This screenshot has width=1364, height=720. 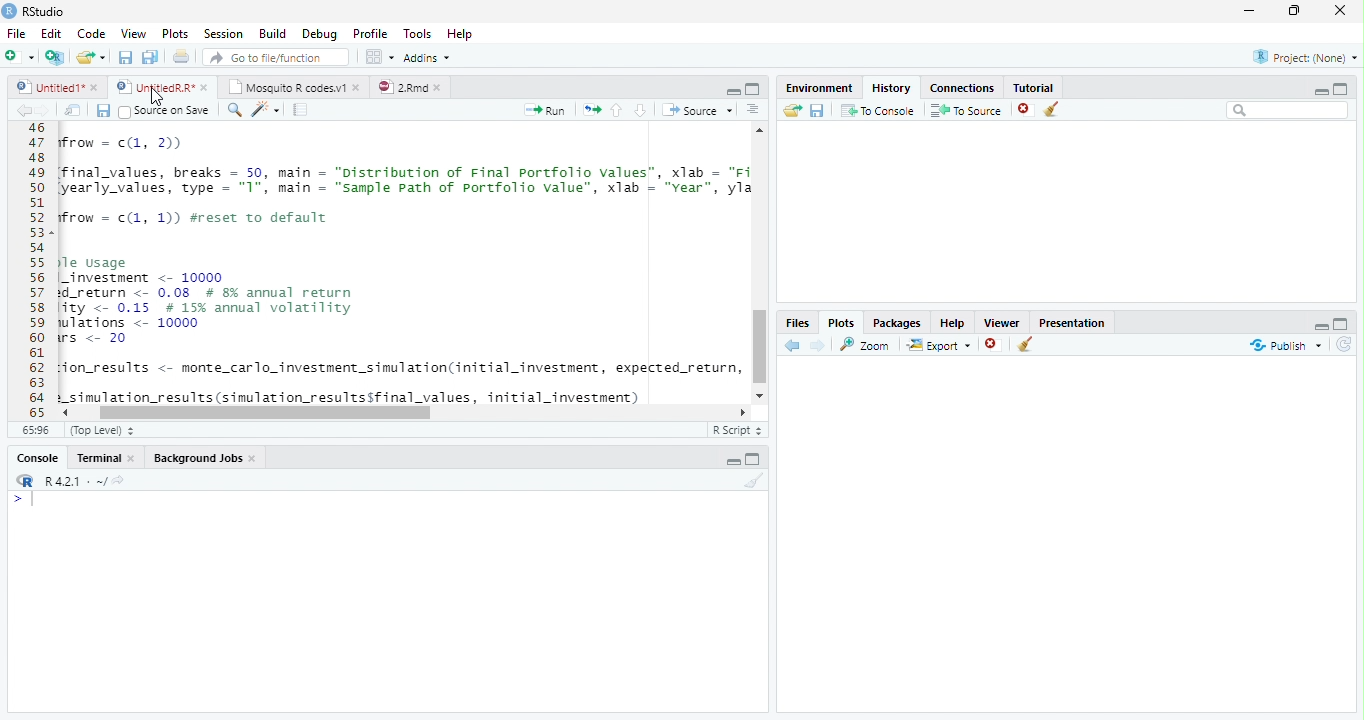 I want to click on Terminal, so click(x=107, y=457).